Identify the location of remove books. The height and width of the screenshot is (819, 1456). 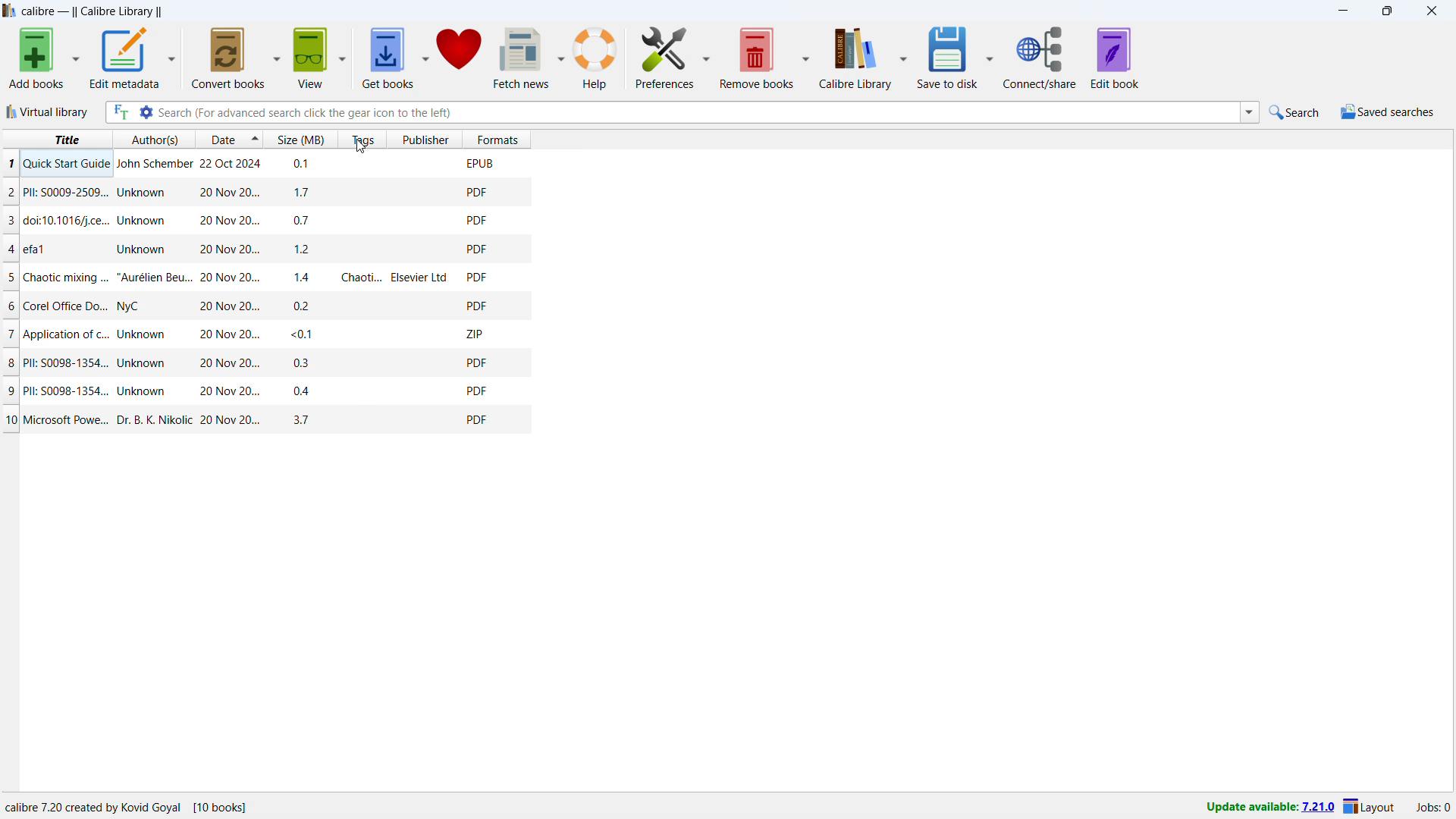
(757, 57).